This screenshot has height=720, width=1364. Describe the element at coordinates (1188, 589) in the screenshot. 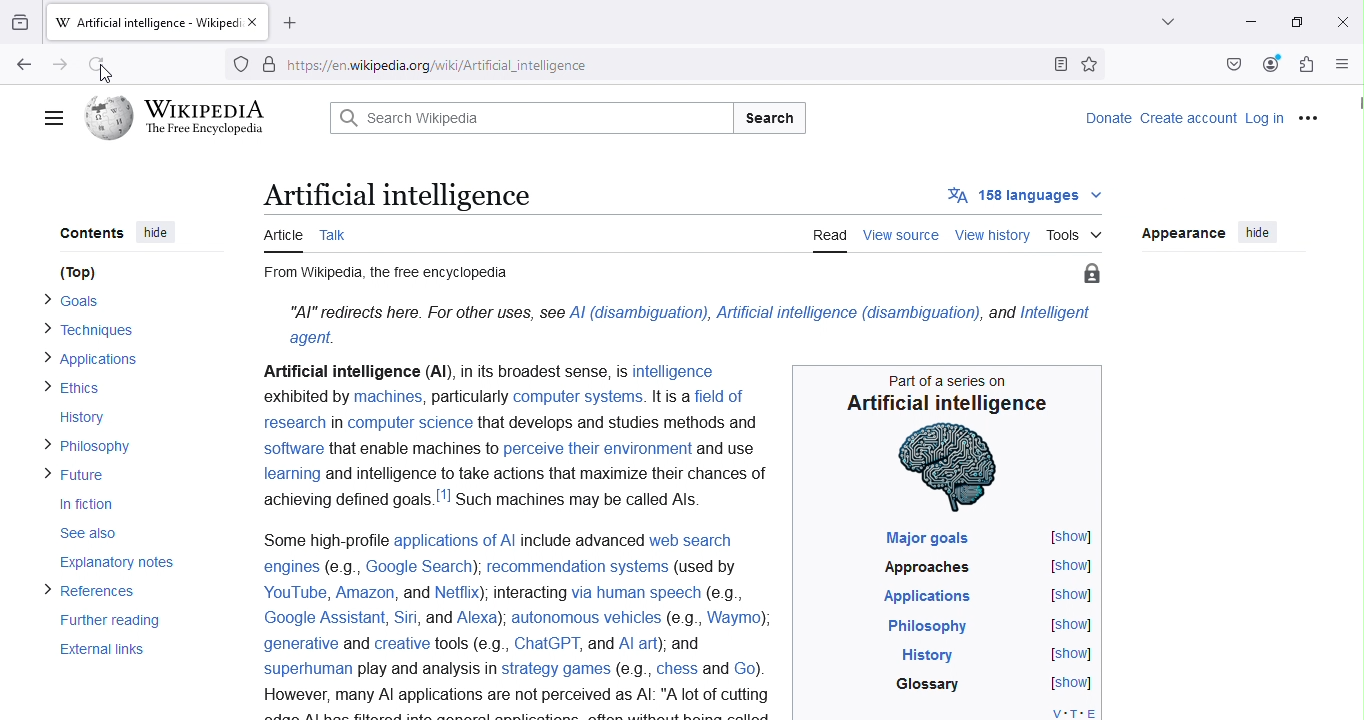

I see `Light` at that location.